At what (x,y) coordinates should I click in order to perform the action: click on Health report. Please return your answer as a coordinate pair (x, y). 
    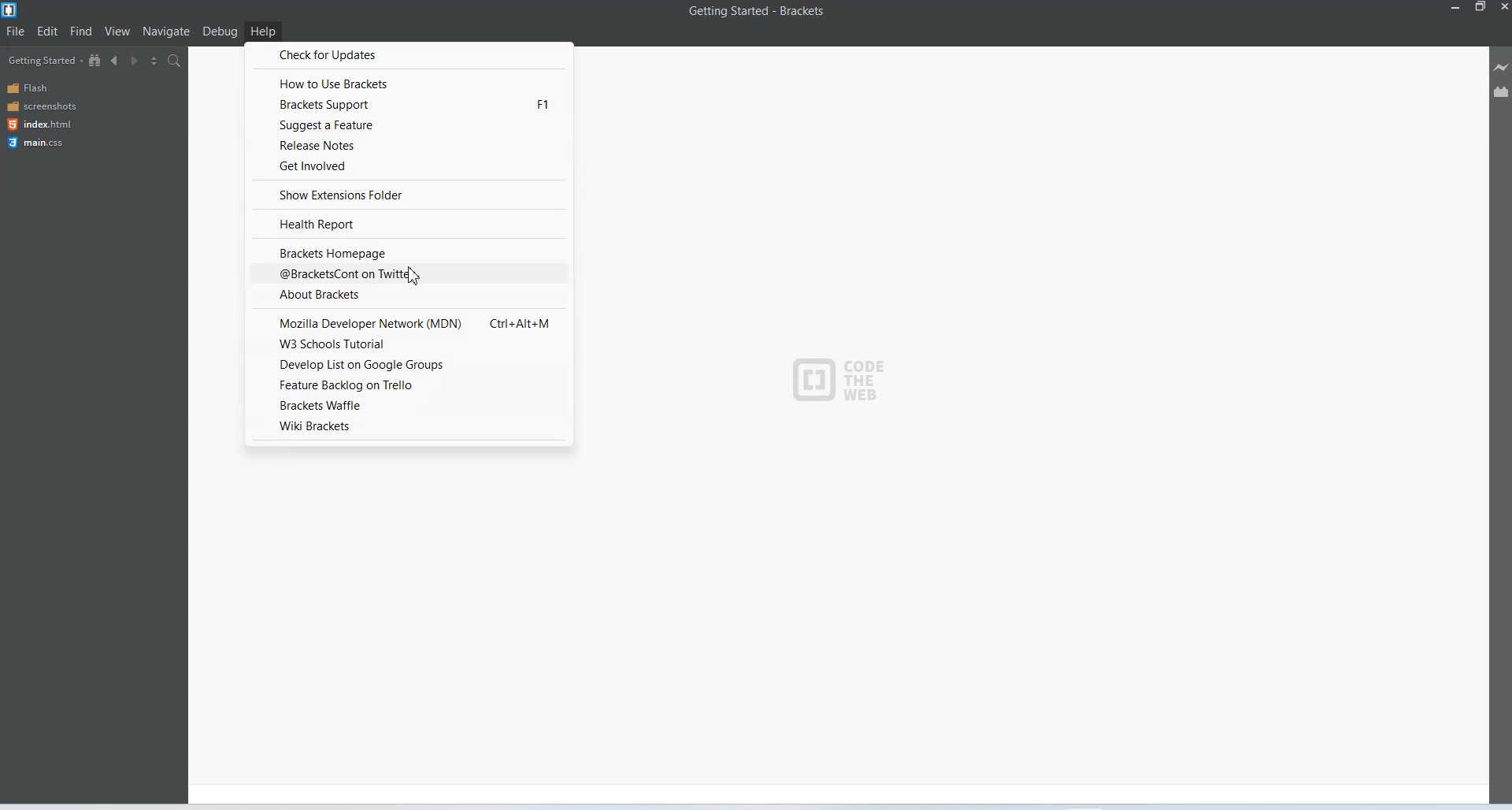
    Looking at the image, I should click on (410, 224).